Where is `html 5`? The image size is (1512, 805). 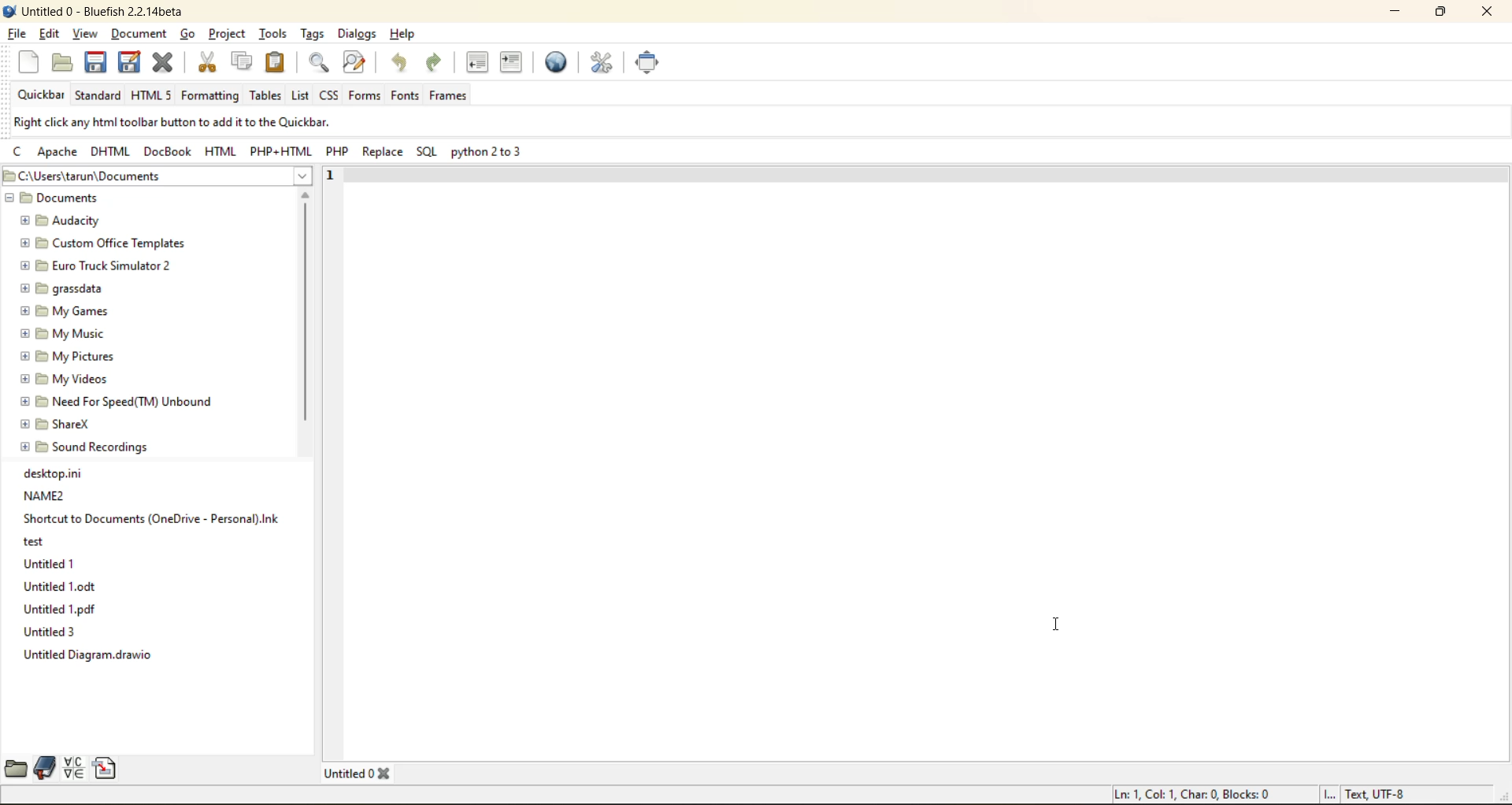 html 5 is located at coordinates (152, 96).